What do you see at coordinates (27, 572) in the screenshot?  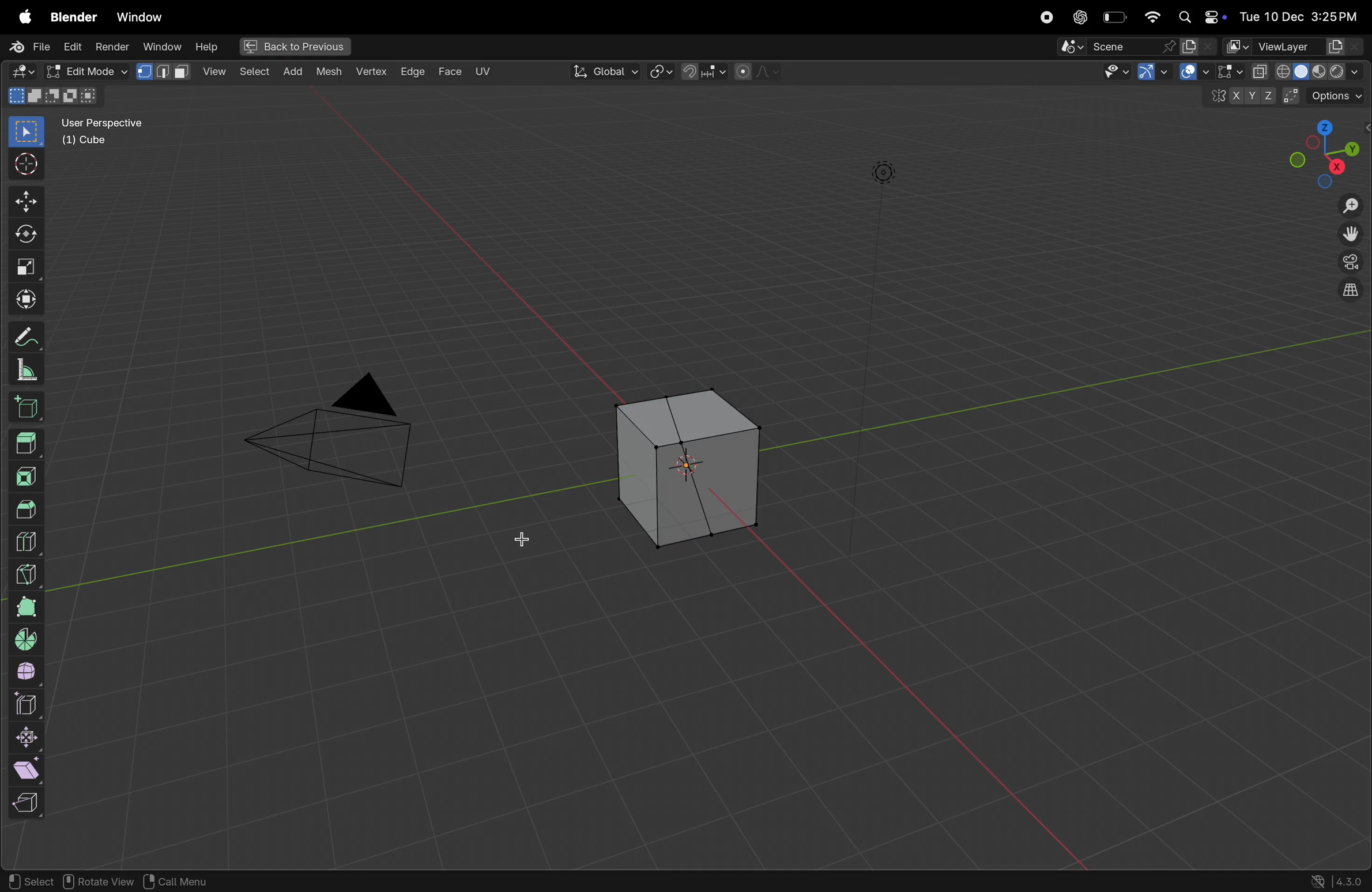 I see `knife` at bounding box center [27, 572].